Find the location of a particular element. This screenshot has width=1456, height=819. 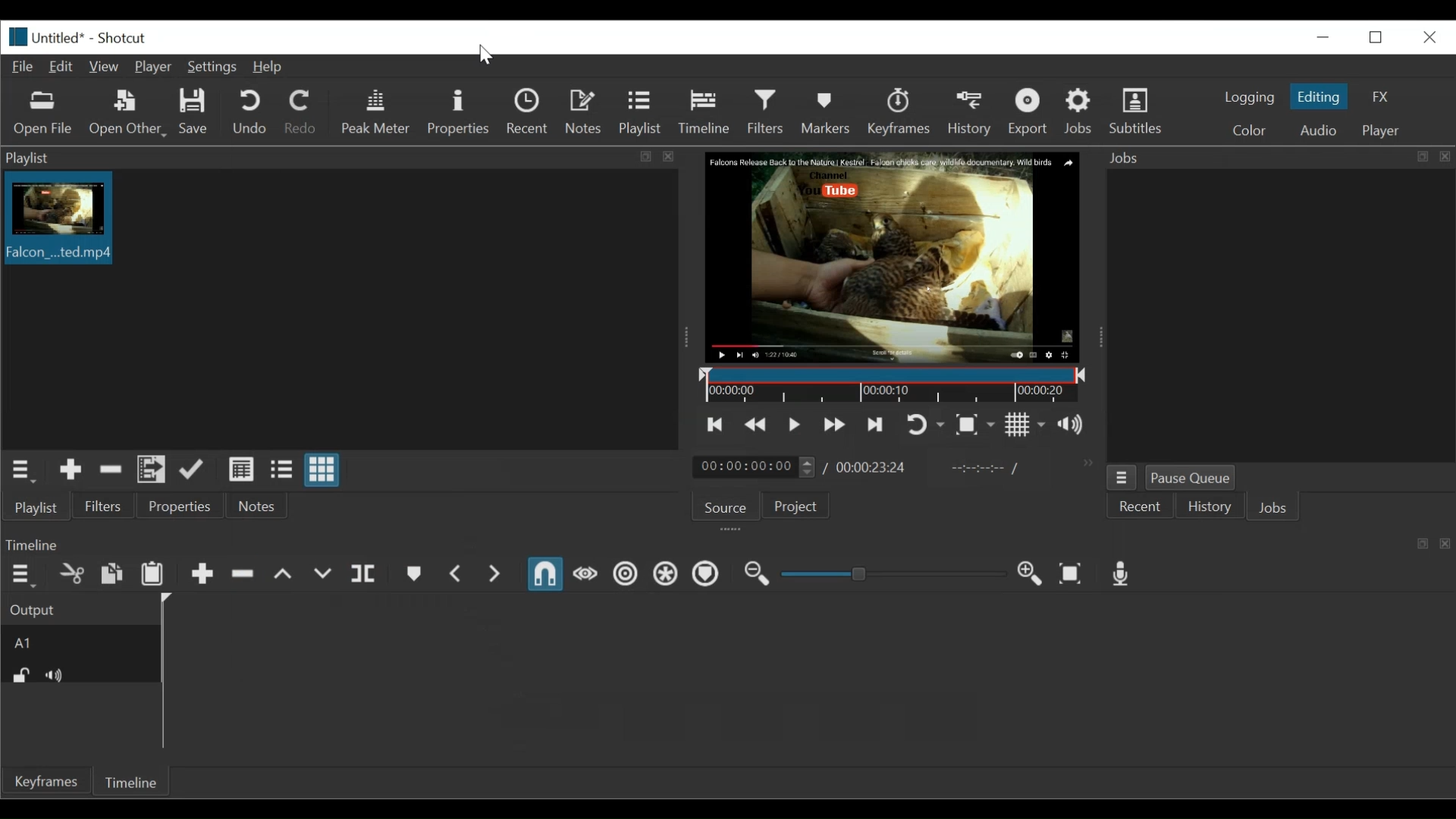

logging is located at coordinates (1247, 99).